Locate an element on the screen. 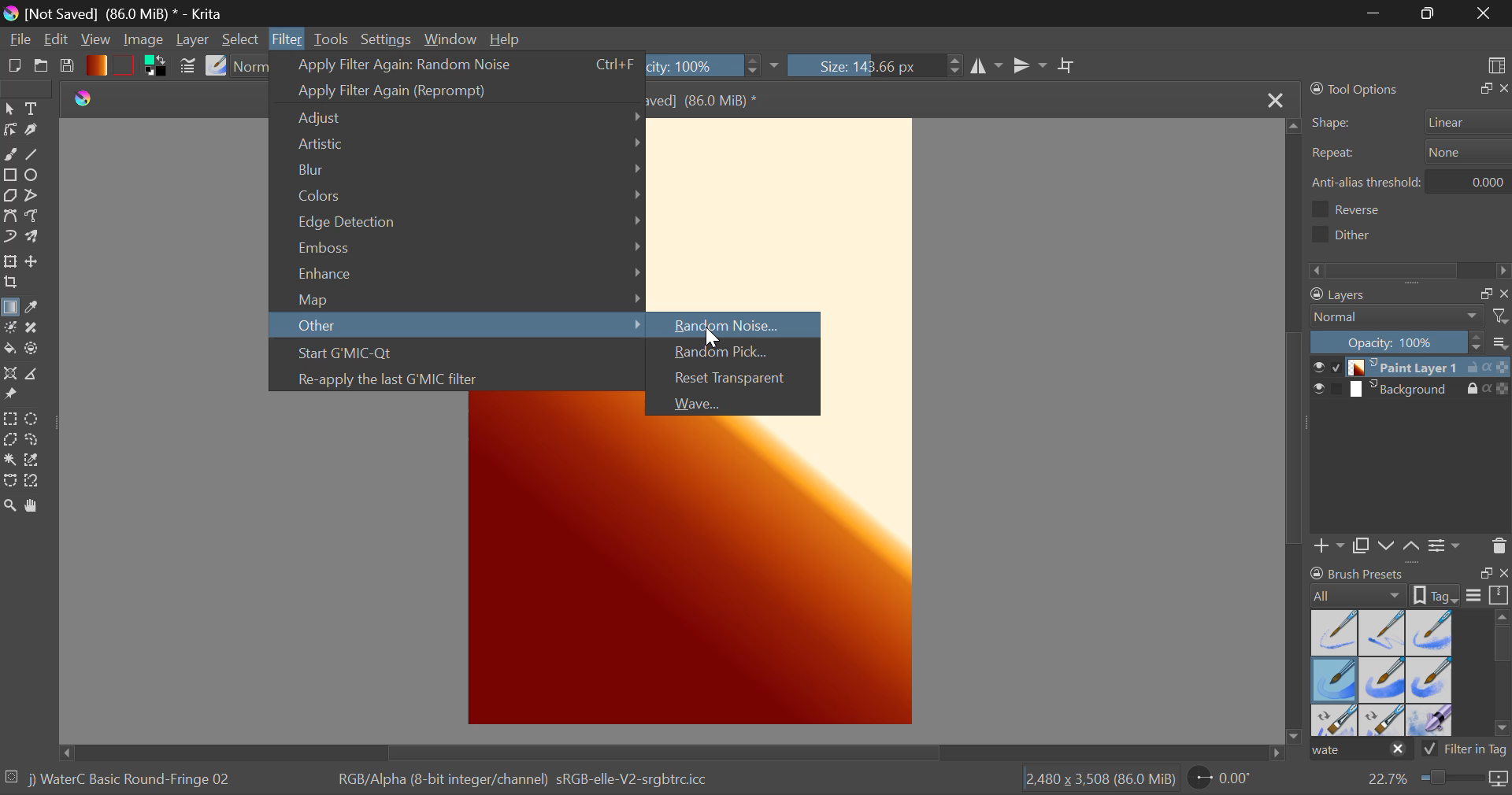  Ellipses is located at coordinates (37, 176).